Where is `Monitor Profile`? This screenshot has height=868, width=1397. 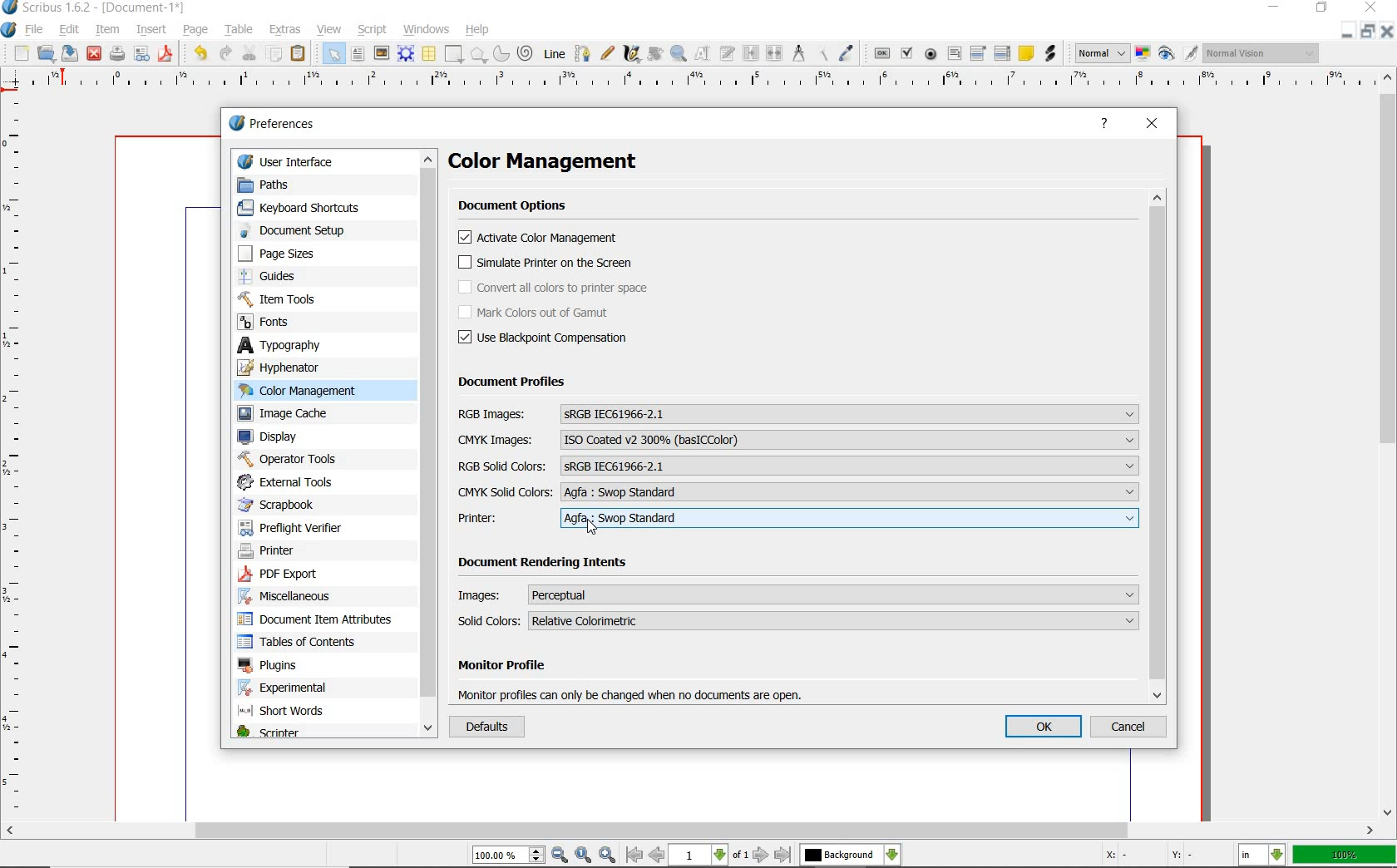 Monitor Profile is located at coordinates (638, 668).